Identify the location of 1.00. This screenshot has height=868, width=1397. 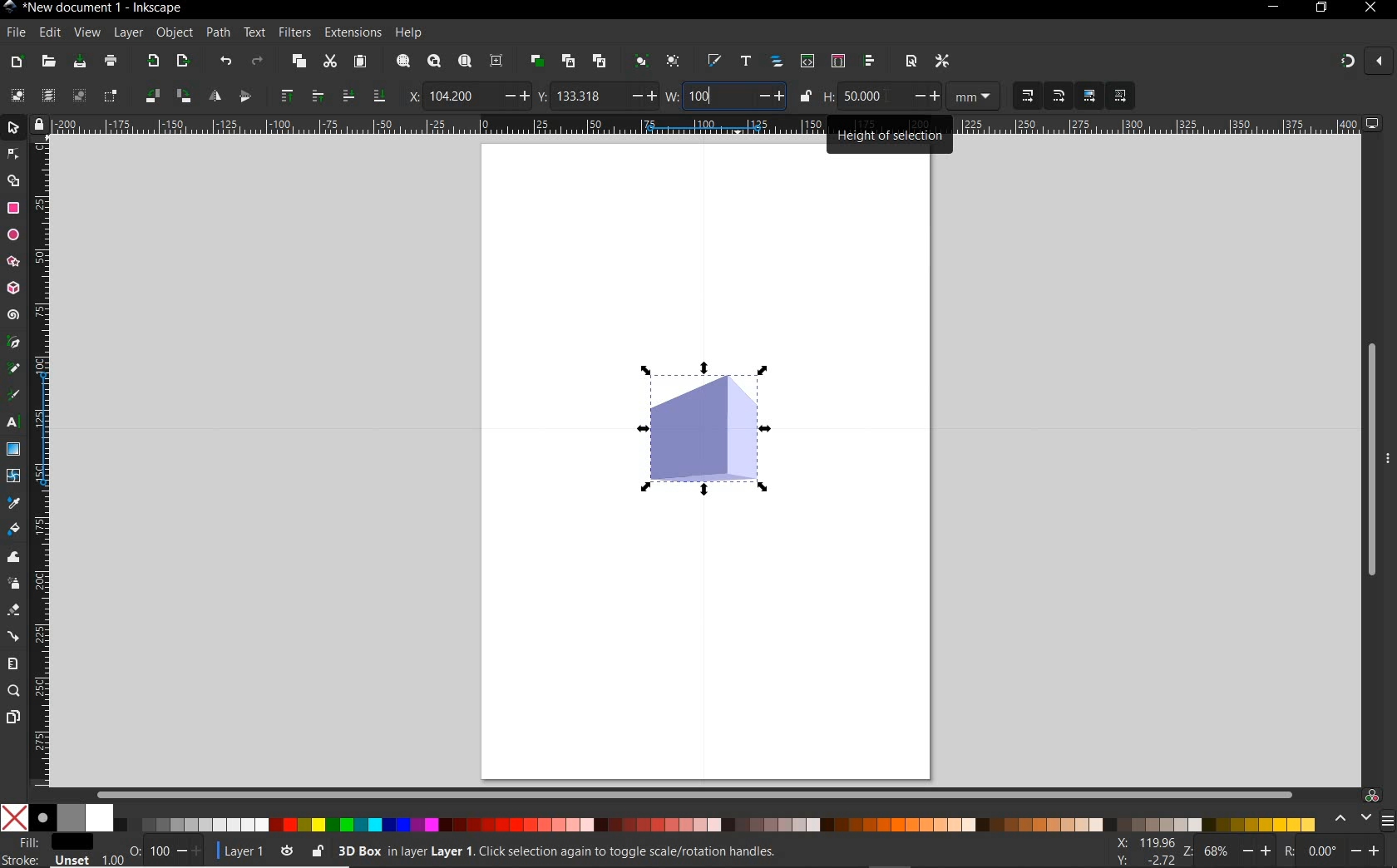
(111, 858).